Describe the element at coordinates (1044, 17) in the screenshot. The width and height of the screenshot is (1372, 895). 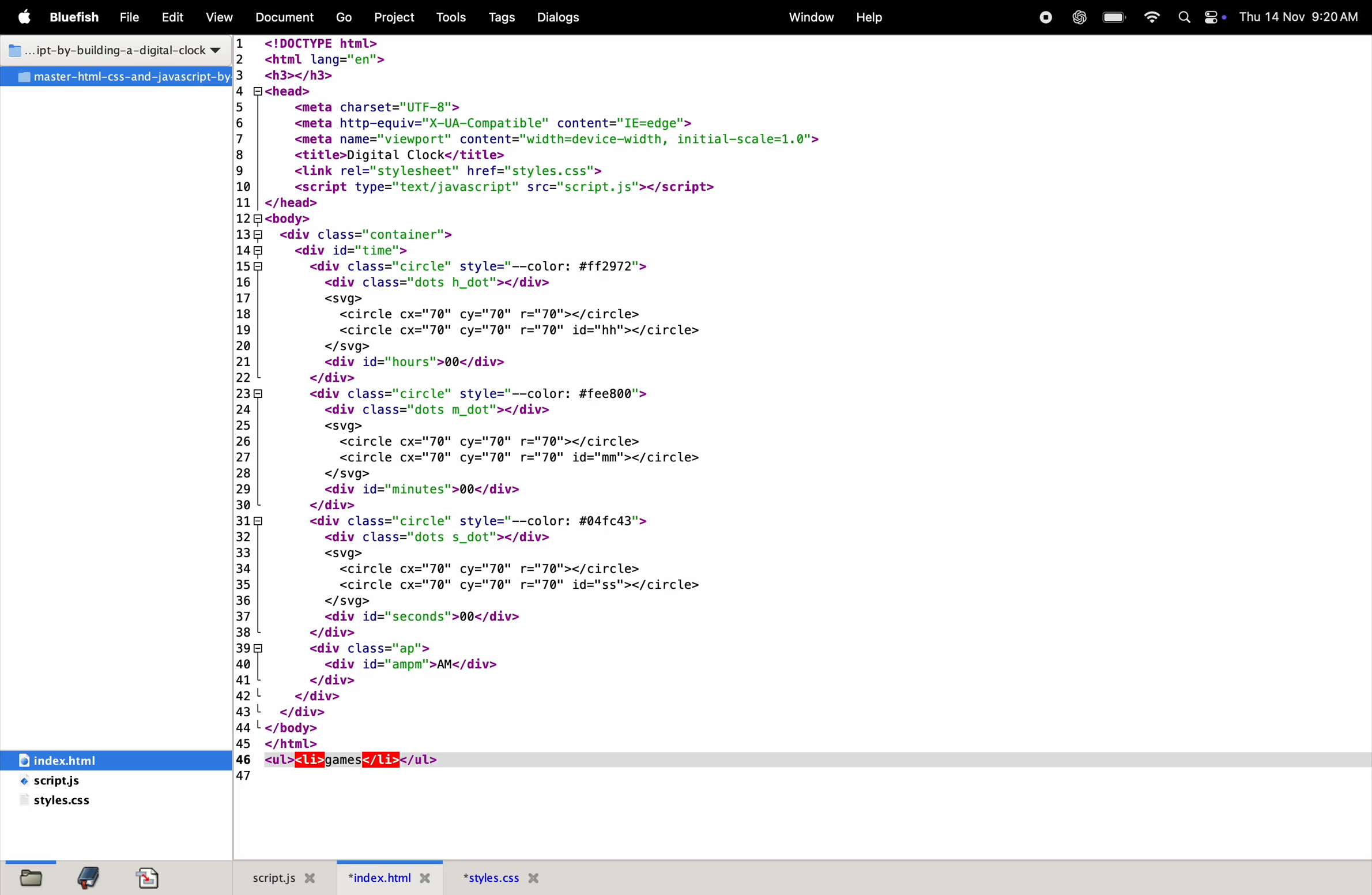
I see `record` at that location.